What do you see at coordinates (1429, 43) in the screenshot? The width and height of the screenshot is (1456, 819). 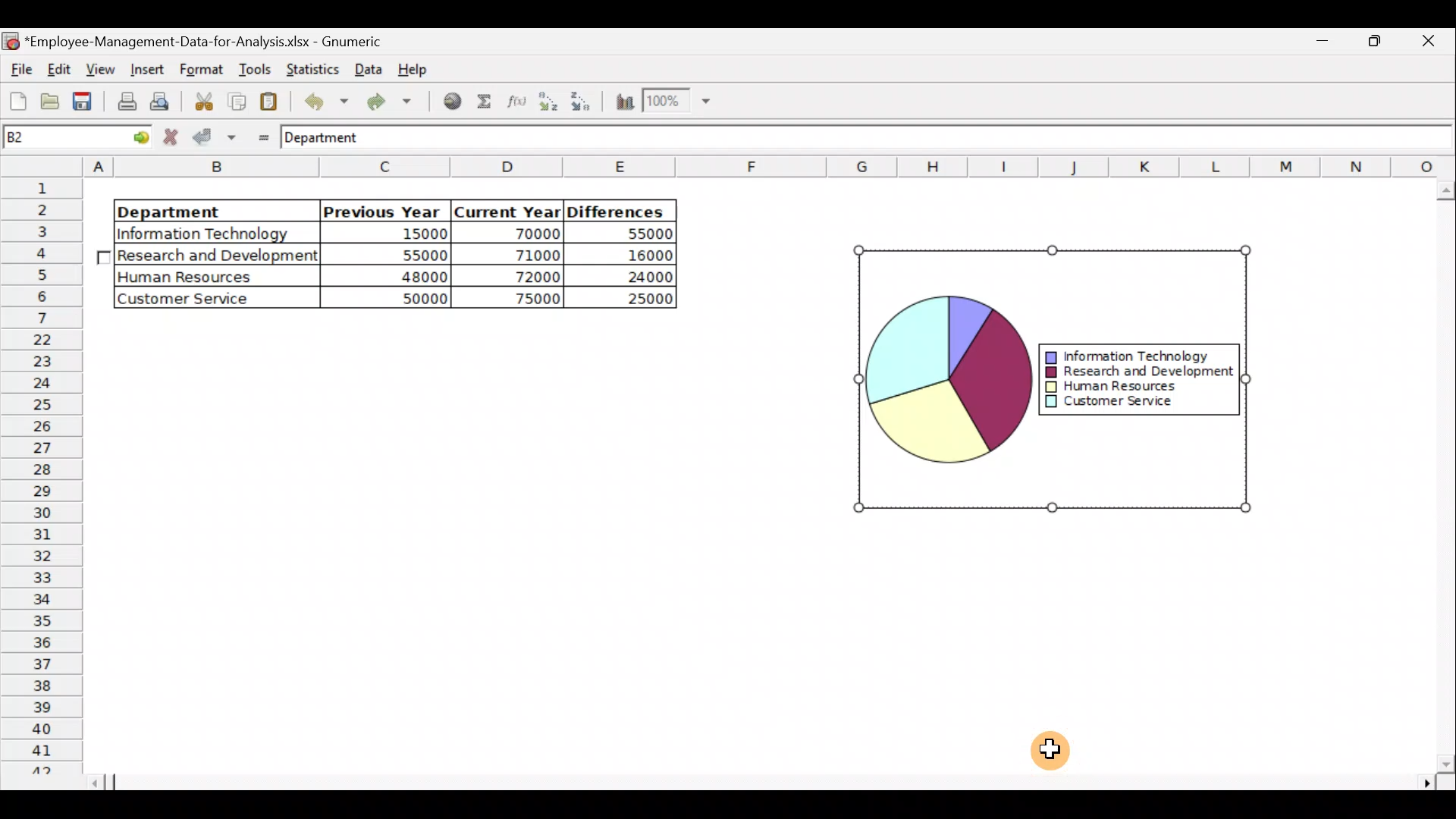 I see `Close` at bounding box center [1429, 43].